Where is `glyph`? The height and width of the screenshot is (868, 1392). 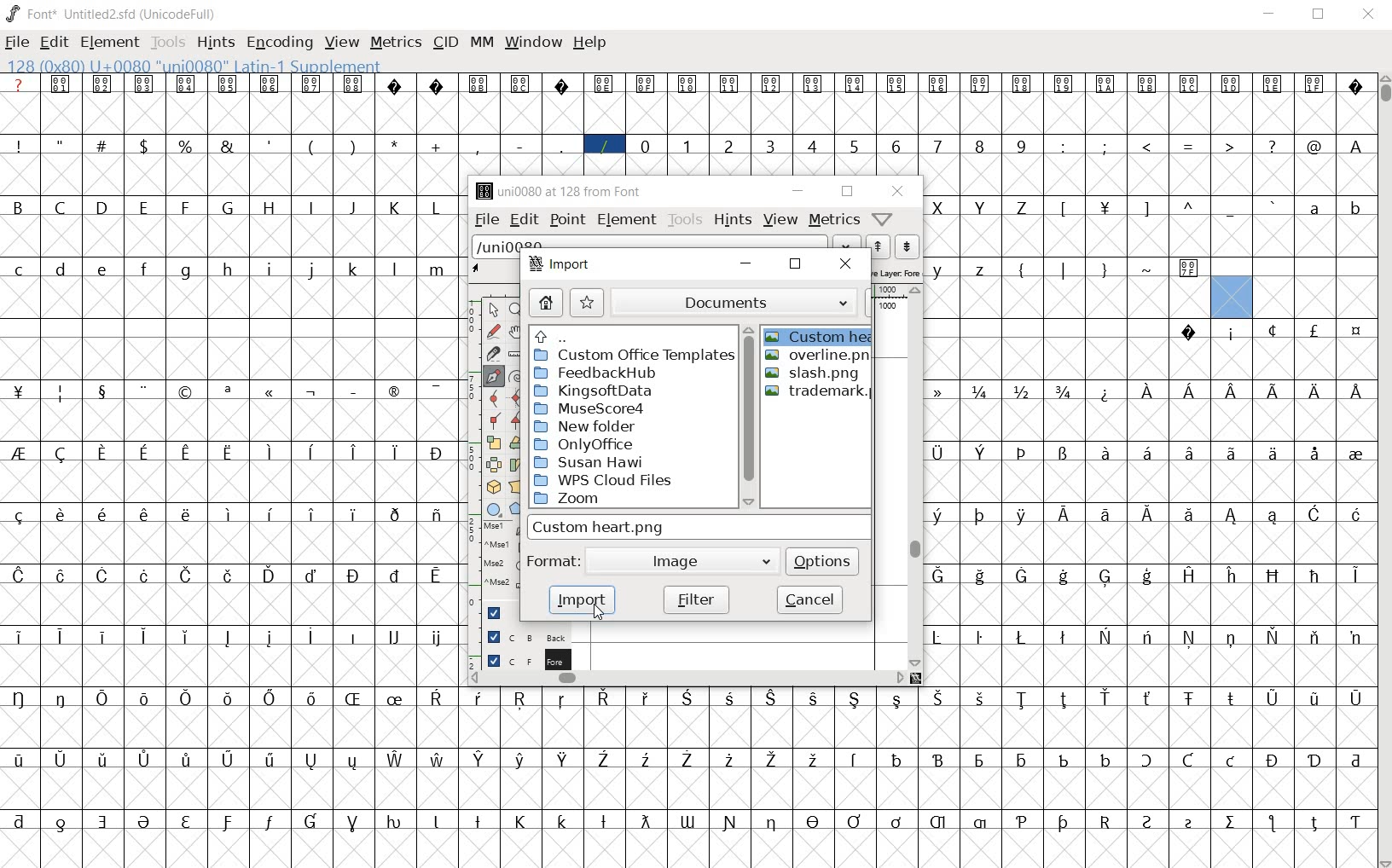
glyph is located at coordinates (394, 515).